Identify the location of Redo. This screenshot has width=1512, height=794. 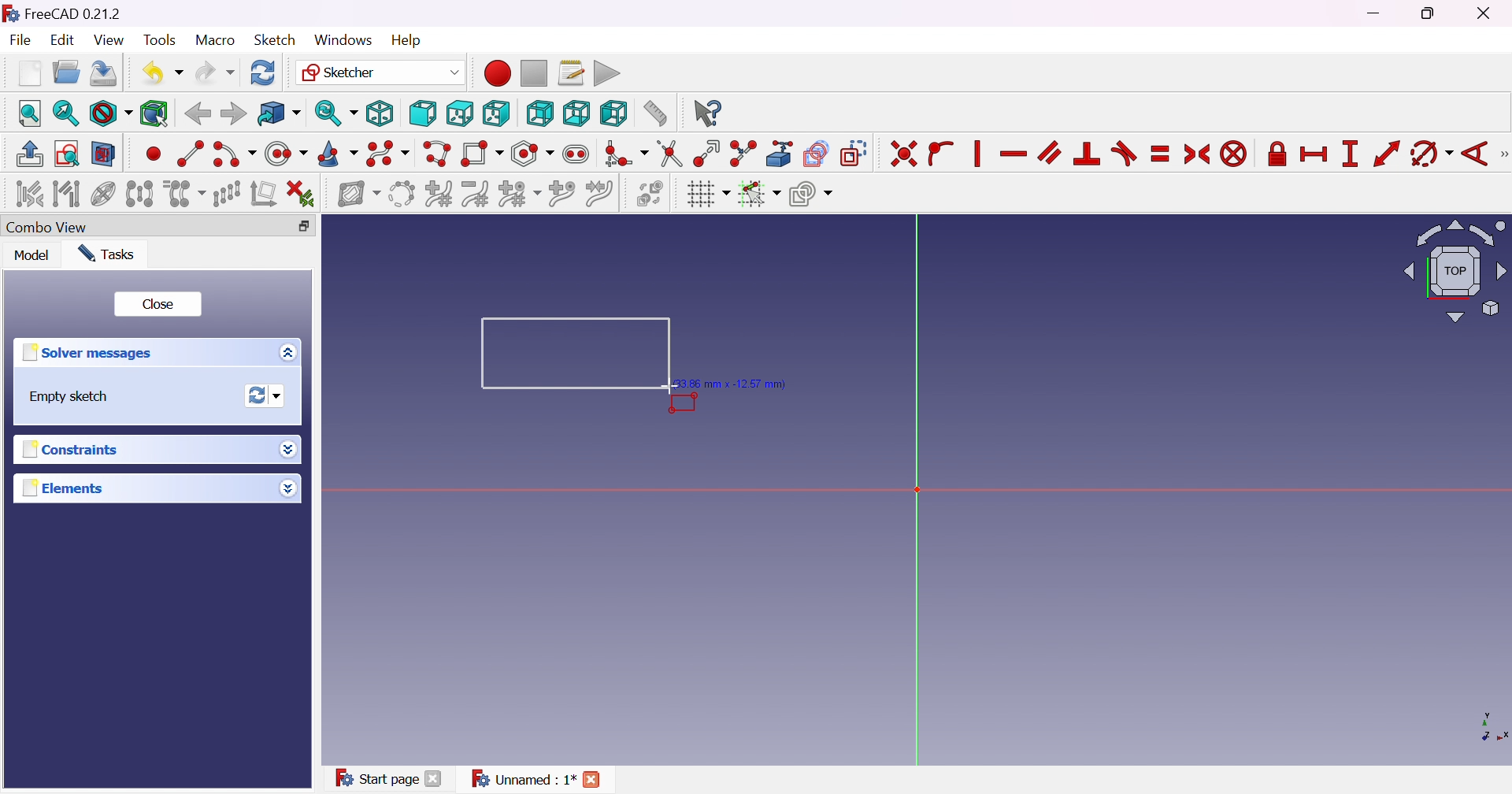
(216, 71).